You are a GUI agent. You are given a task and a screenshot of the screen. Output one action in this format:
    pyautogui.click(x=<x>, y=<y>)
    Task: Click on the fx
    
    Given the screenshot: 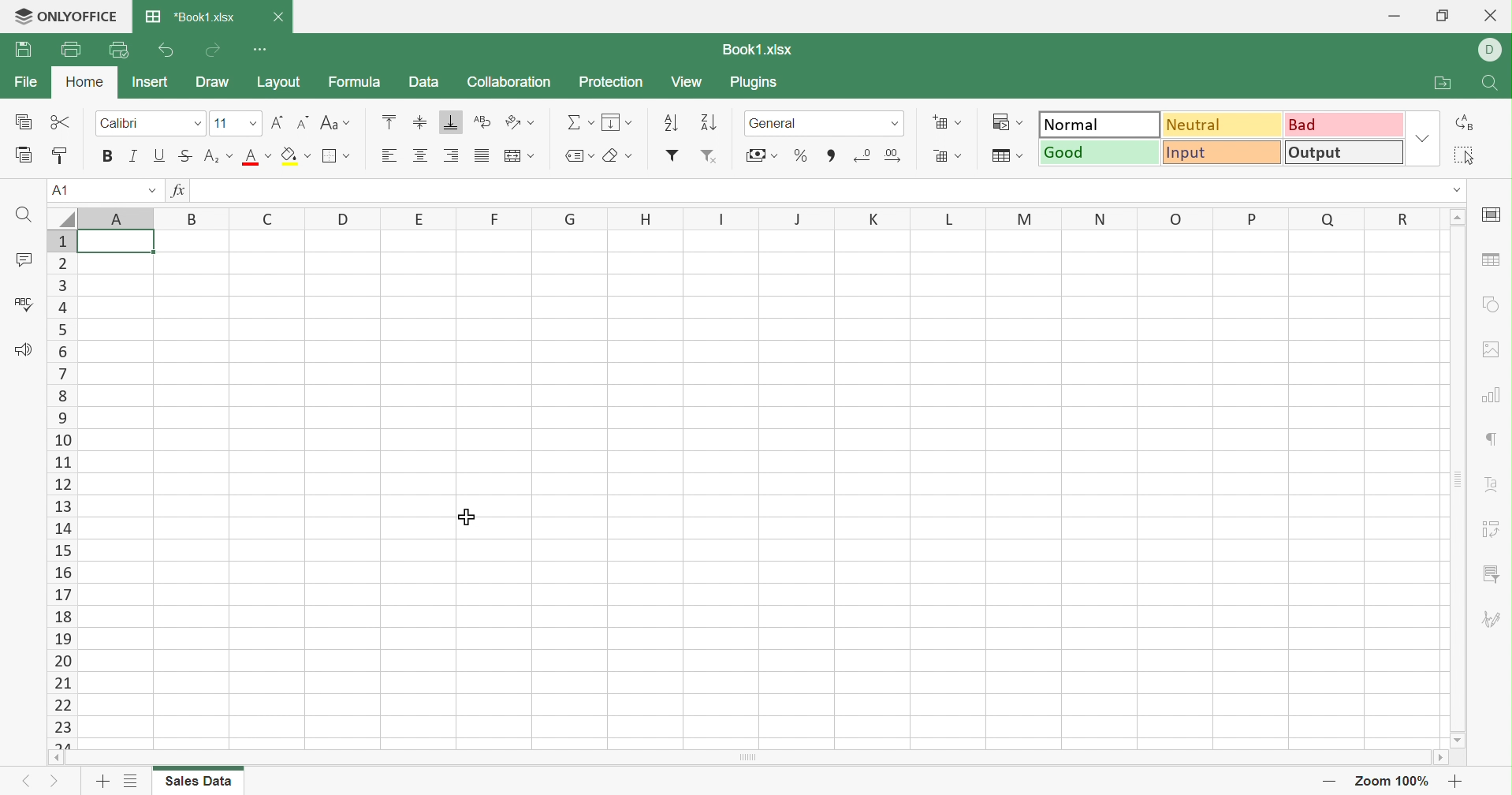 What is the action you would take?
    pyautogui.click(x=178, y=189)
    